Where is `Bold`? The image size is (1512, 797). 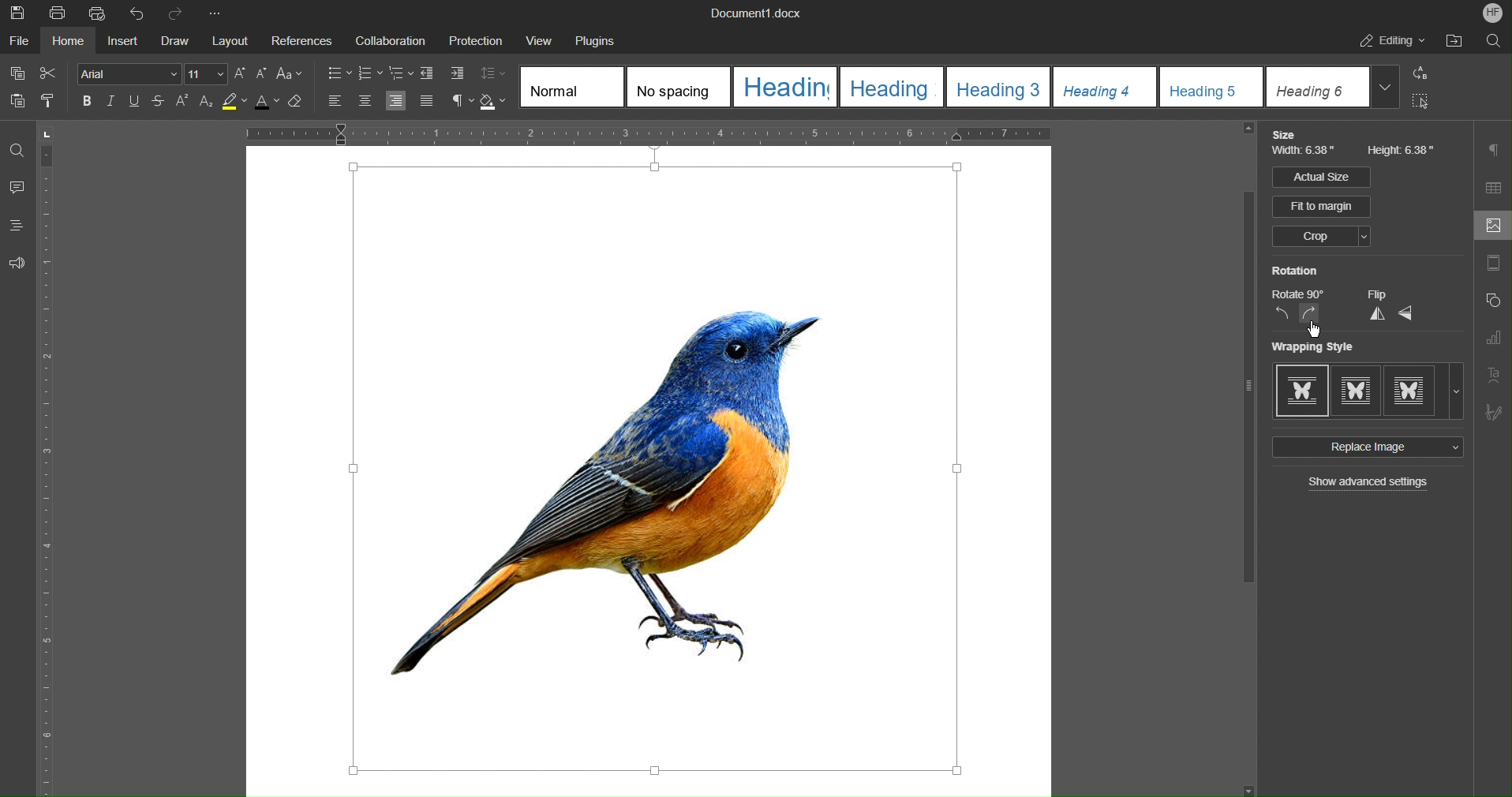
Bold is located at coordinates (88, 101).